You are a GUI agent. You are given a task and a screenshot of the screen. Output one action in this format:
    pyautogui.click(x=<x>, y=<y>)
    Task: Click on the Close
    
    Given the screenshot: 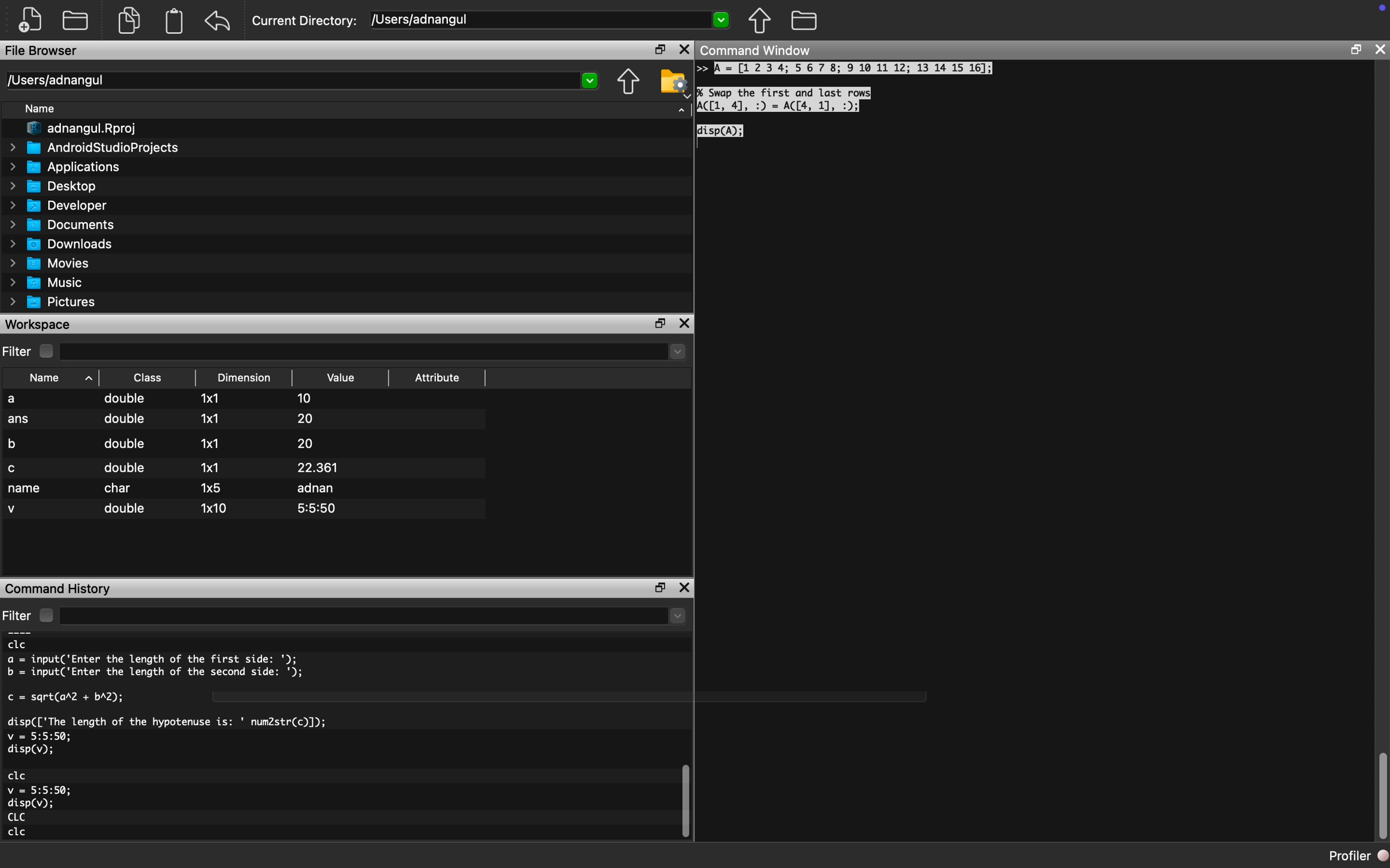 What is the action you would take?
    pyautogui.click(x=1382, y=49)
    